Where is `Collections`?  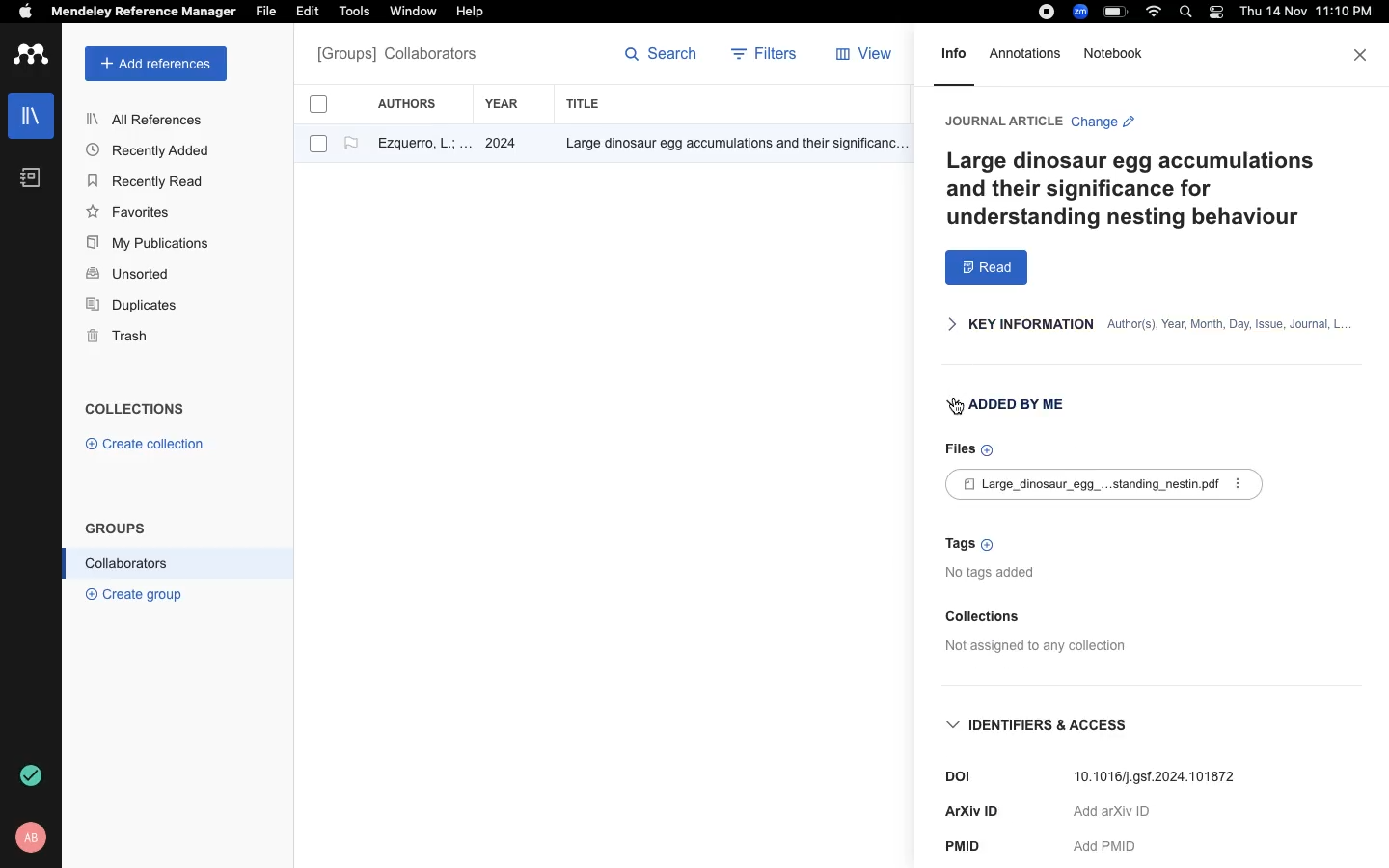
Collections is located at coordinates (985, 613).